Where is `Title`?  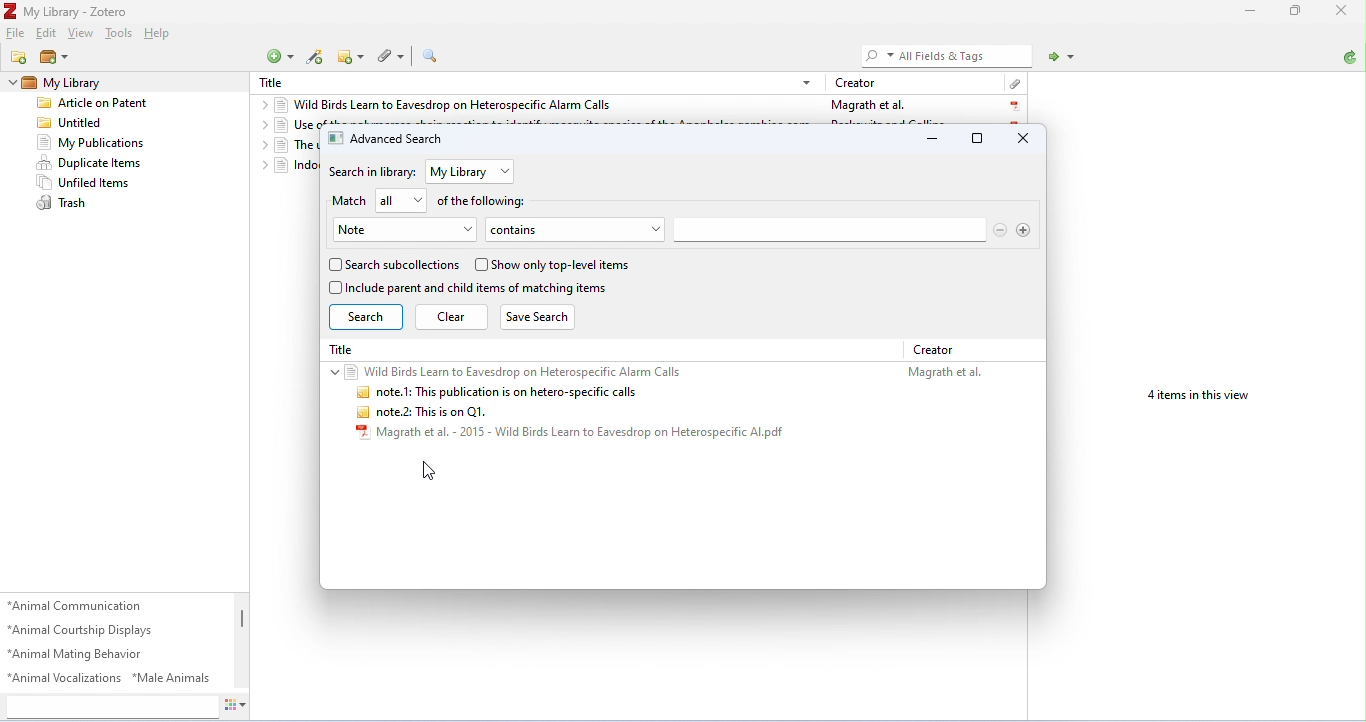 Title is located at coordinates (346, 351).